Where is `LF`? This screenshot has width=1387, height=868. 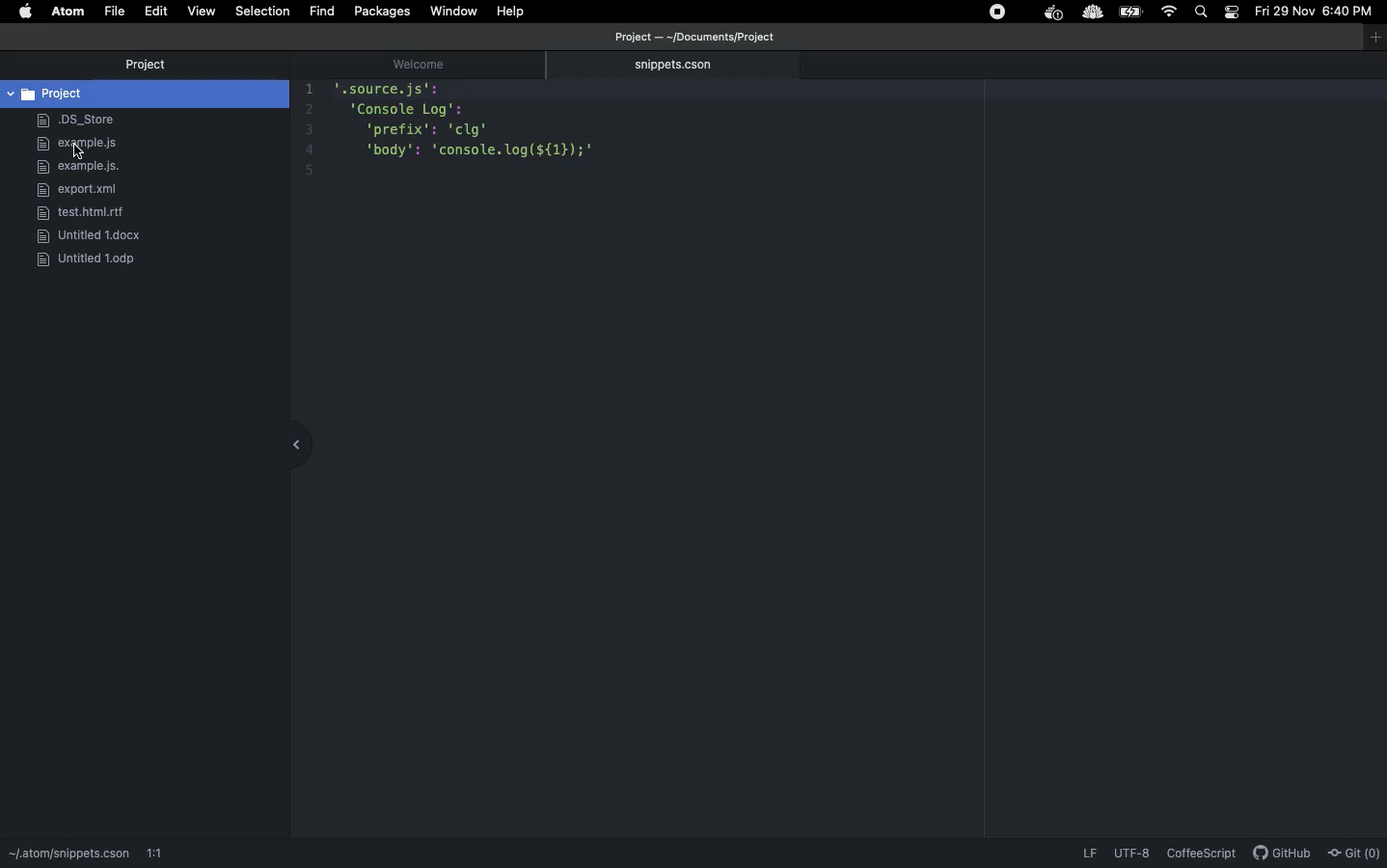
LF is located at coordinates (1092, 853).